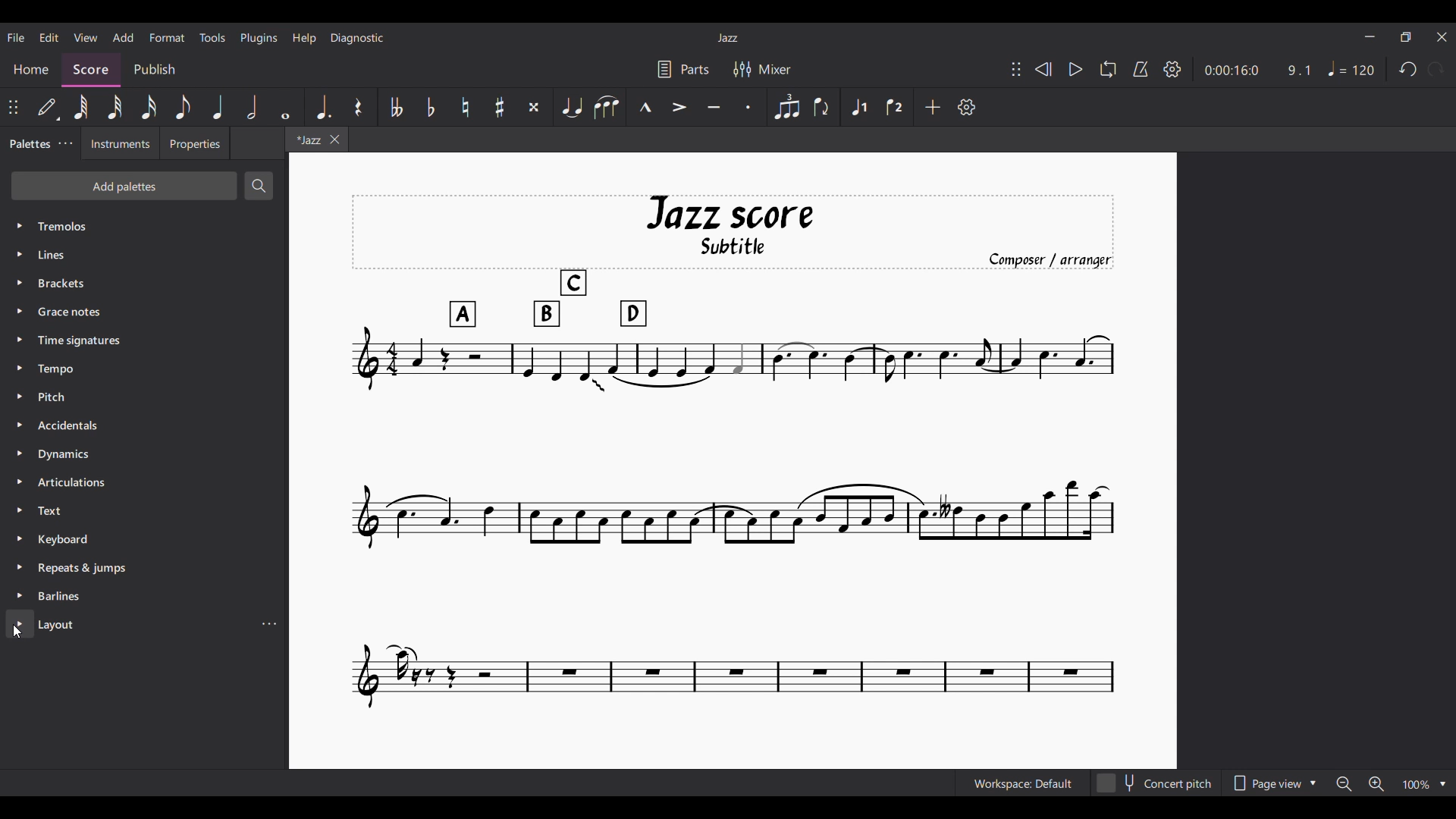 The height and width of the screenshot is (819, 1456). Describe the element at coordinates (17, 632) in the screenshot. I see `Cursor` at that location.